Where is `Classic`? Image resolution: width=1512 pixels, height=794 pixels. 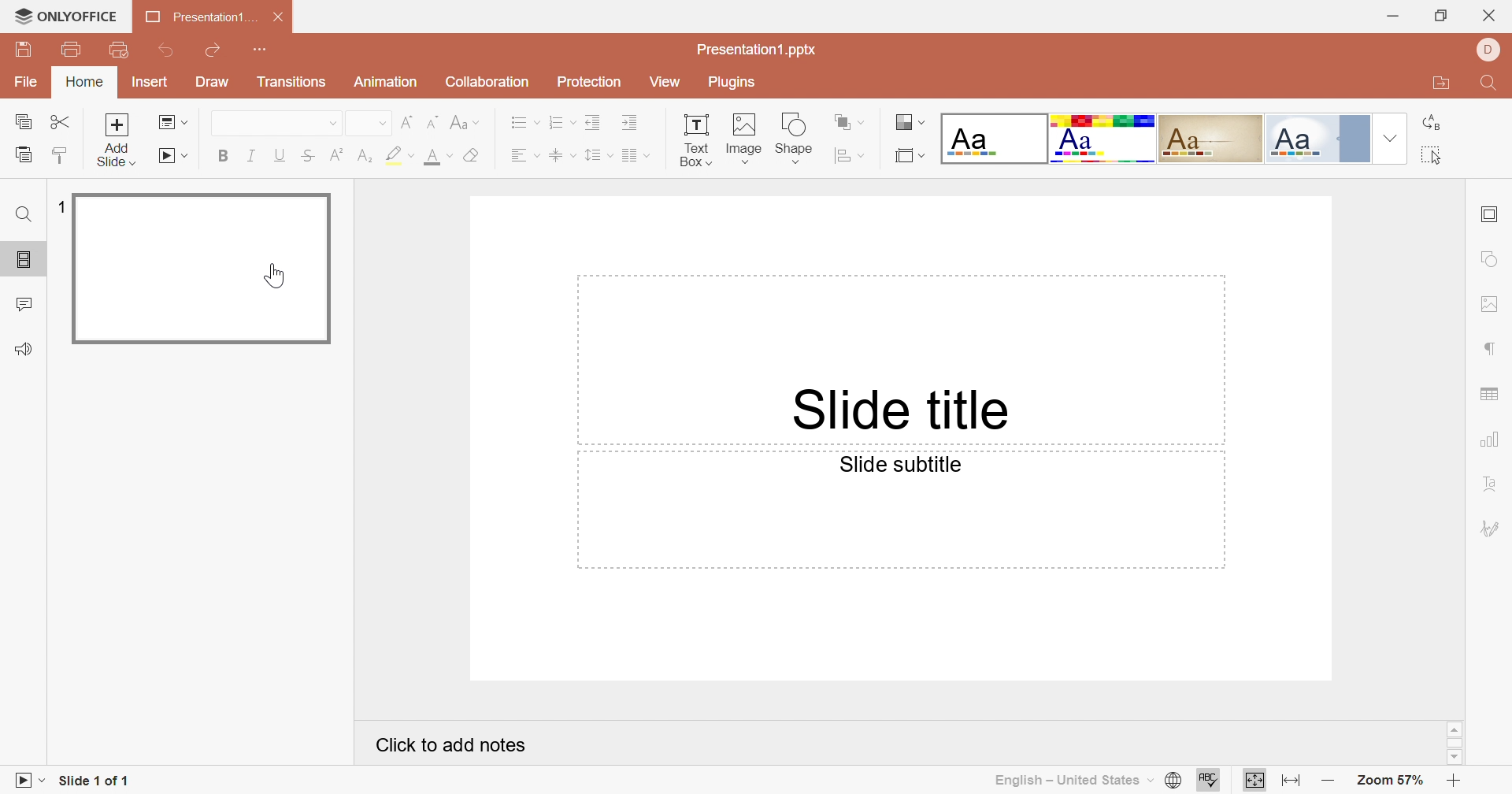
Classic is located at coordinates (1212, 139).